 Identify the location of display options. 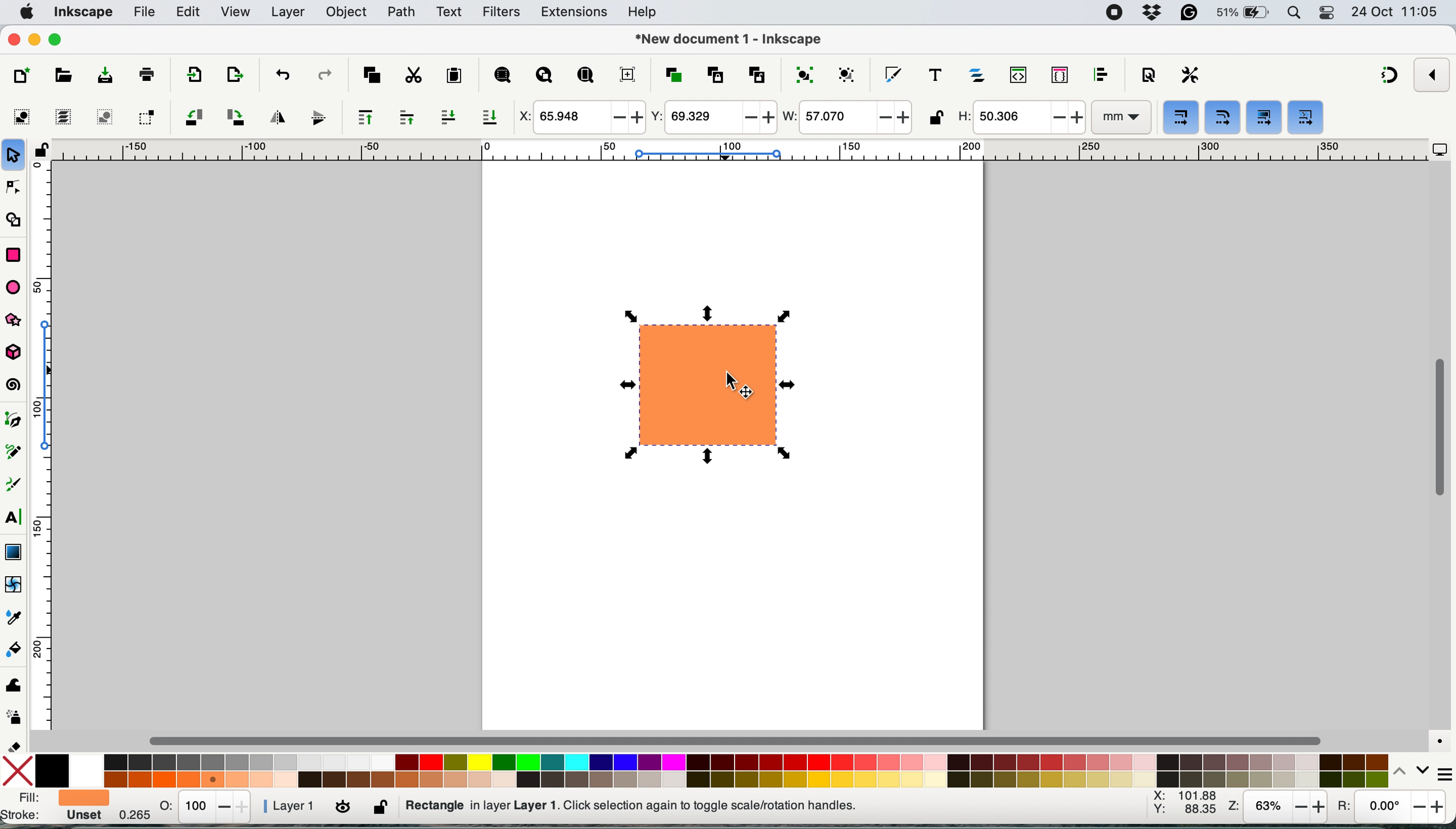
(1440, 150).